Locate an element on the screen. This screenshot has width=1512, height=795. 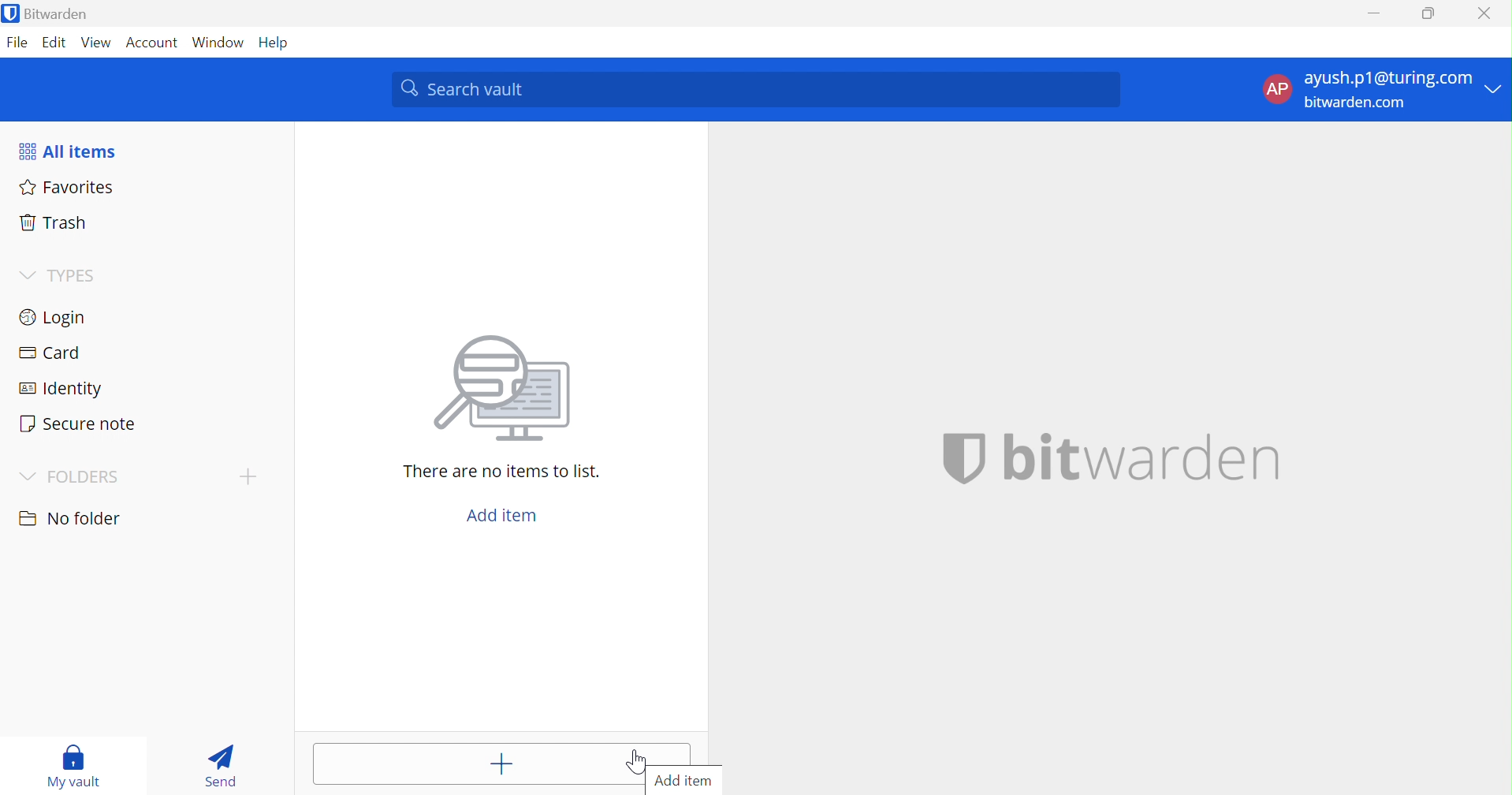
All items is located at coordinates (70, 151).